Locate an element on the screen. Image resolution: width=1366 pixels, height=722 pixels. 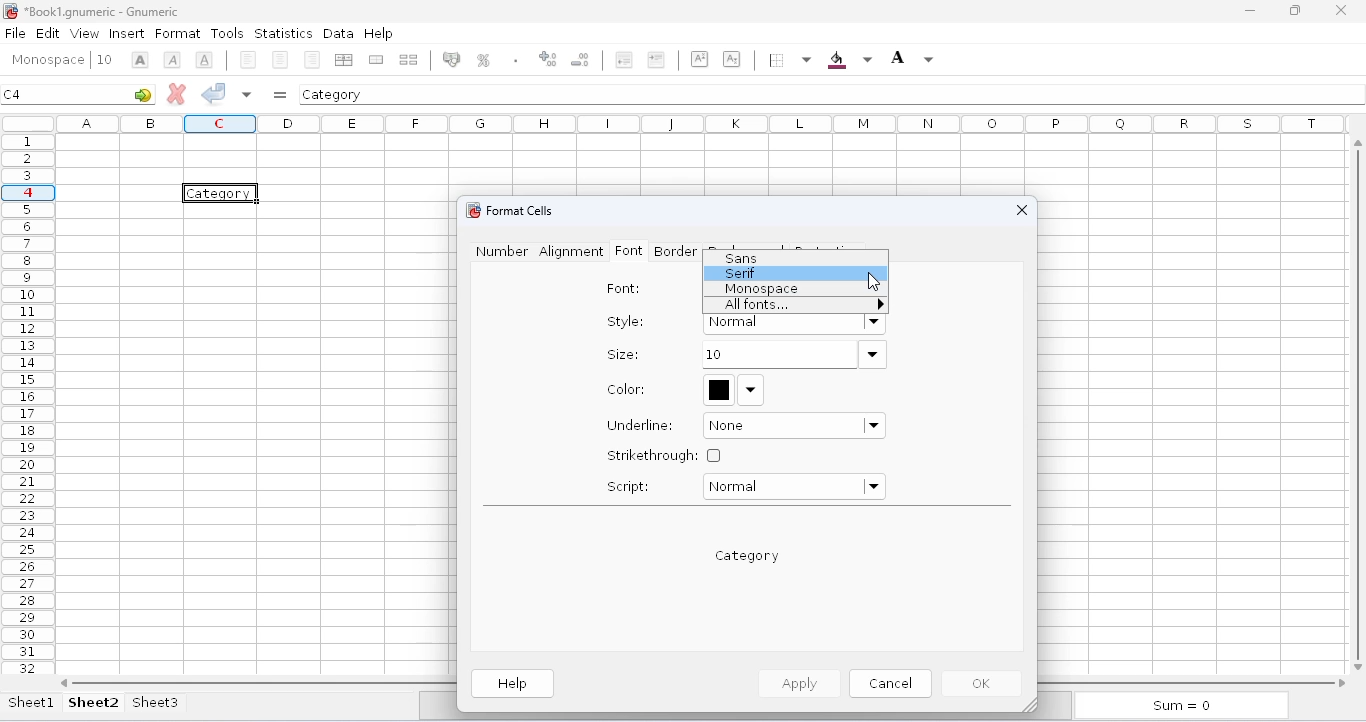
cursor is located at coordinates (873, 282).